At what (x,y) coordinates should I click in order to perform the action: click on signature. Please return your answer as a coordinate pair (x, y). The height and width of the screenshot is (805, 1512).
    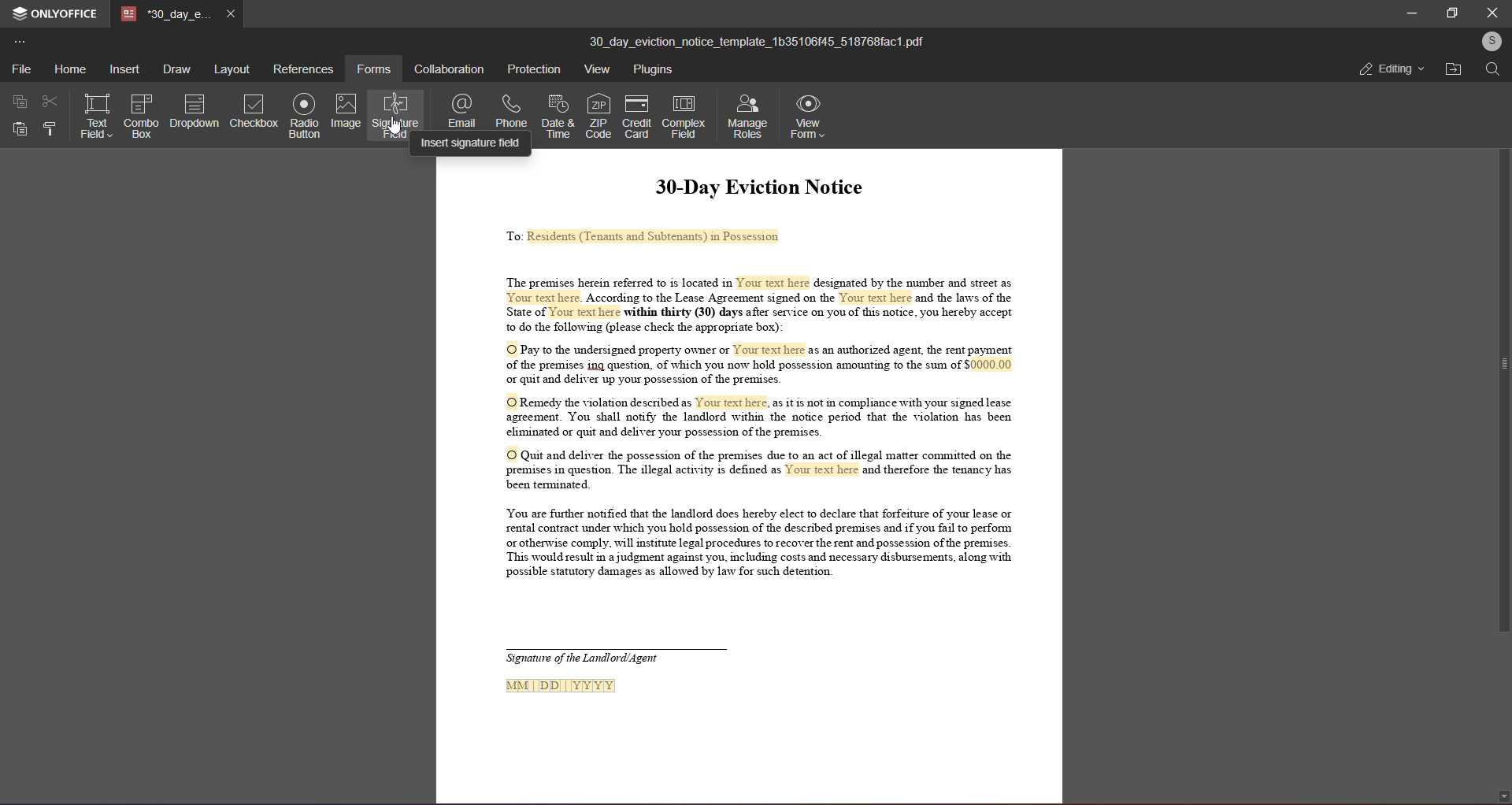
    Looking at the image, I should click on (396, 117).